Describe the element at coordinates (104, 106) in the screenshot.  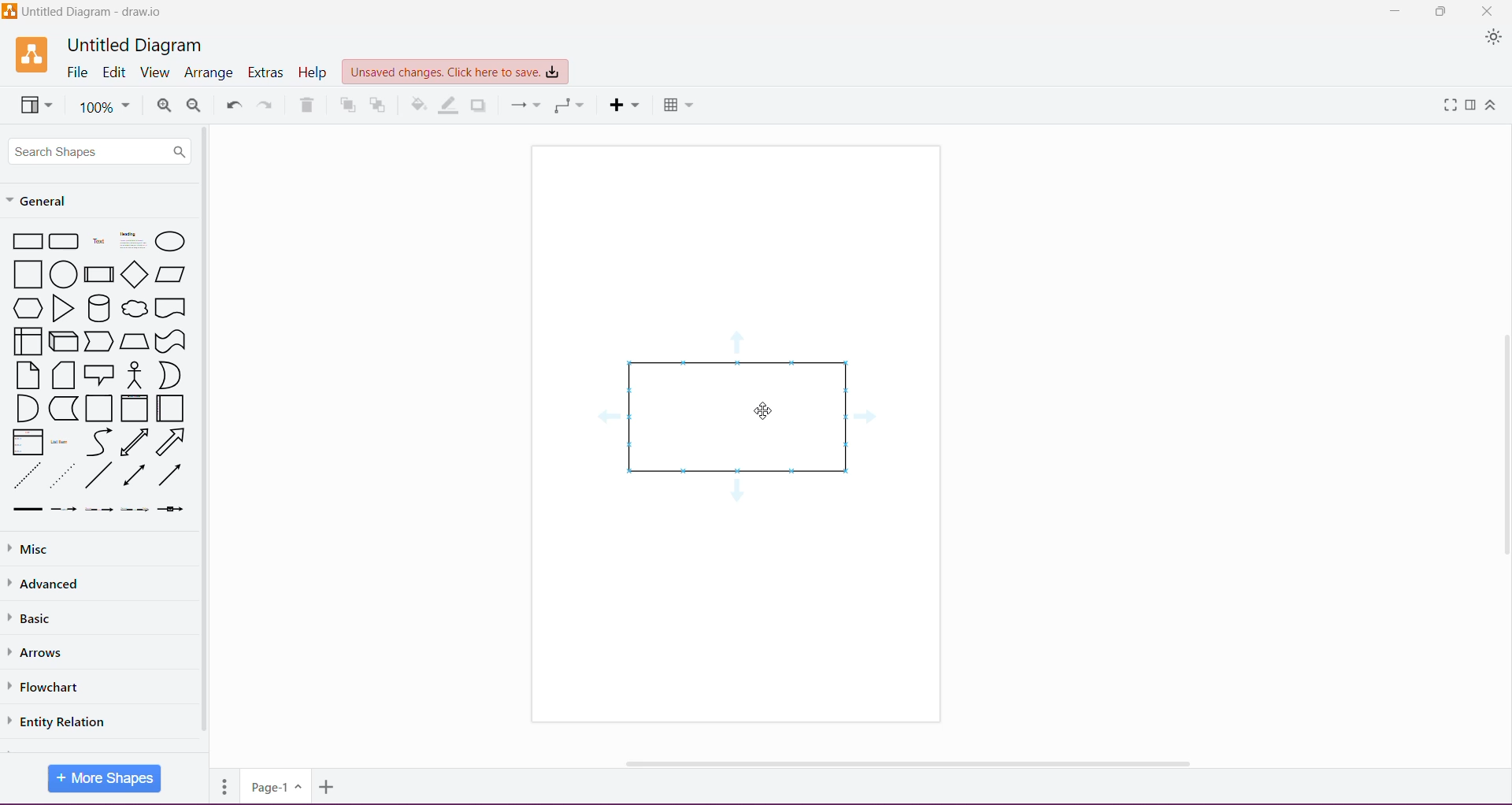
I see `Zoom` at that location.